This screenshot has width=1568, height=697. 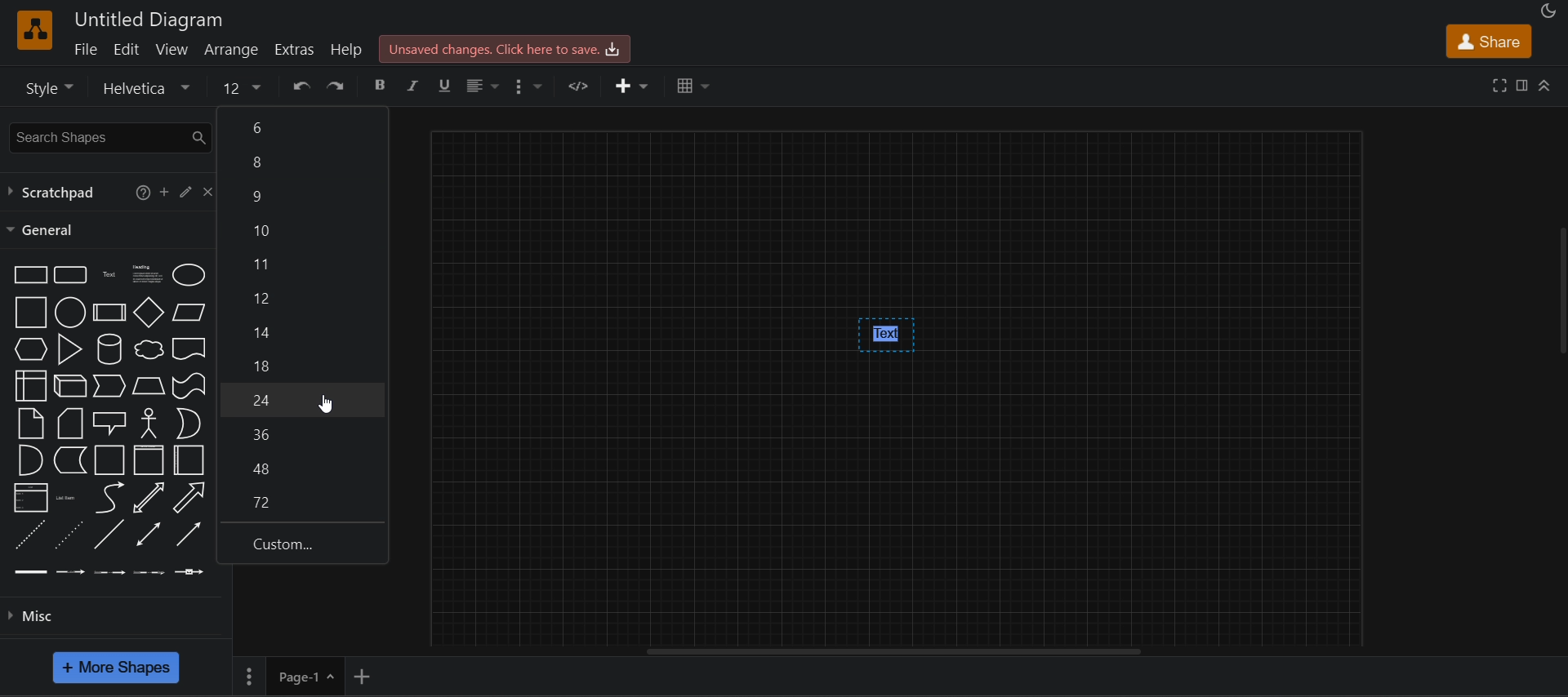 What do you see at coordinates (31, 572) in the screenshot?
I see `Link` at bounding box center [31, 572].